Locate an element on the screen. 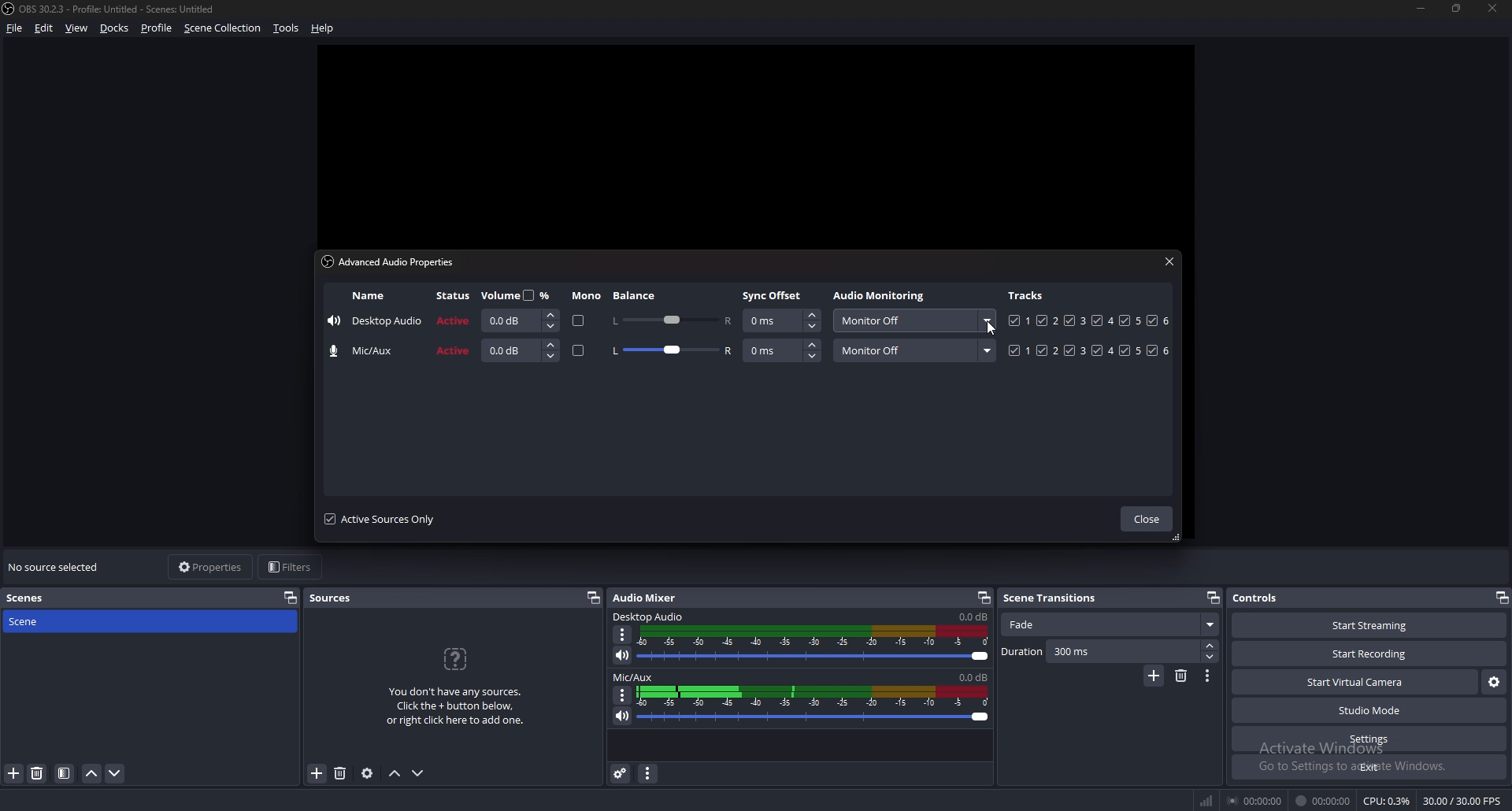 Image resolution: width=1512 pixels, height=811 pixels. profile is located at coordinates (157, 28).